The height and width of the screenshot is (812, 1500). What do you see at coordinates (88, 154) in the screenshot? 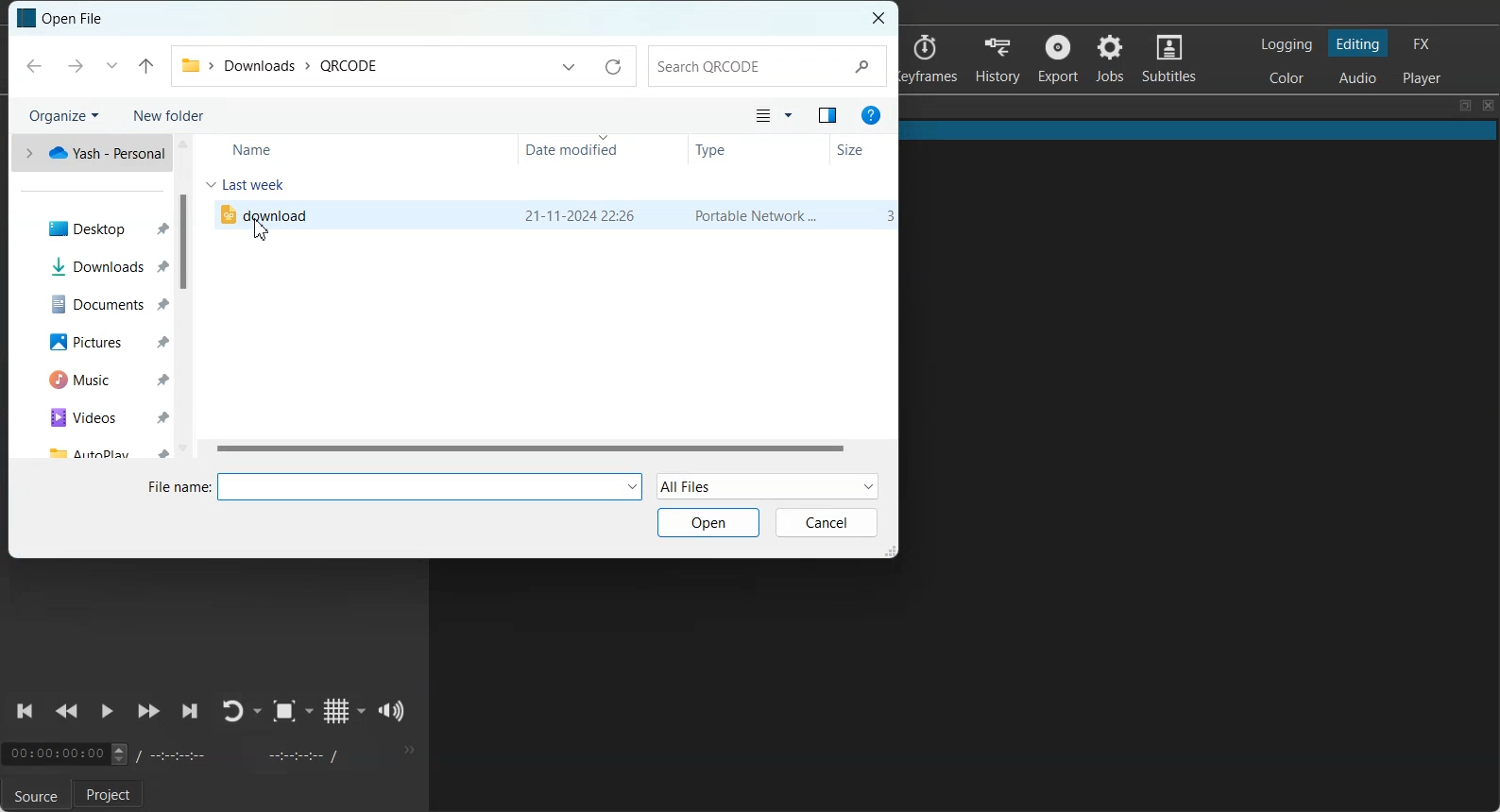
I see `Yash-Personal One drive` at bounding box center [88, 154].